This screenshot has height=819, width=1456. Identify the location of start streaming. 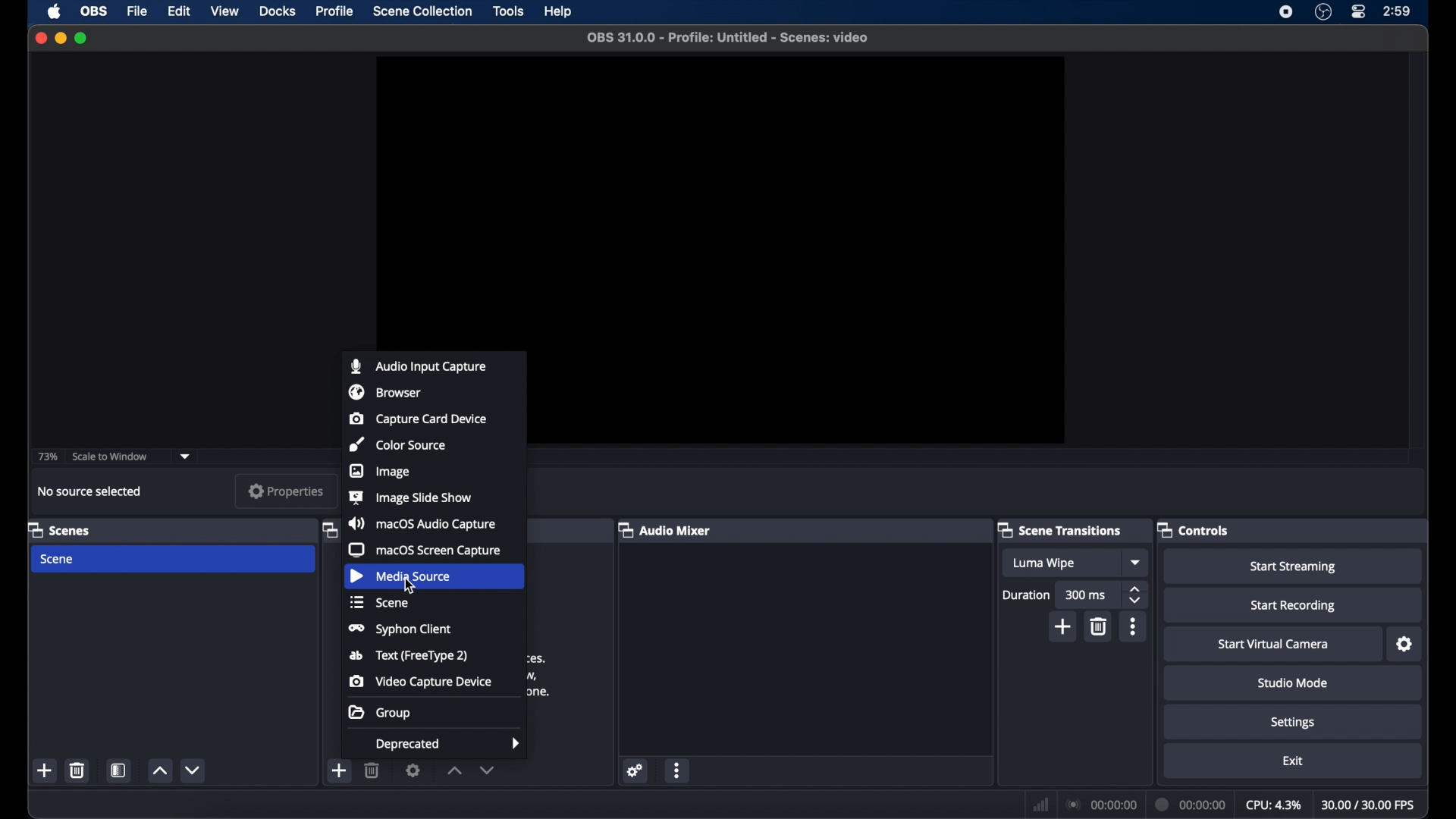
(1294, 566).